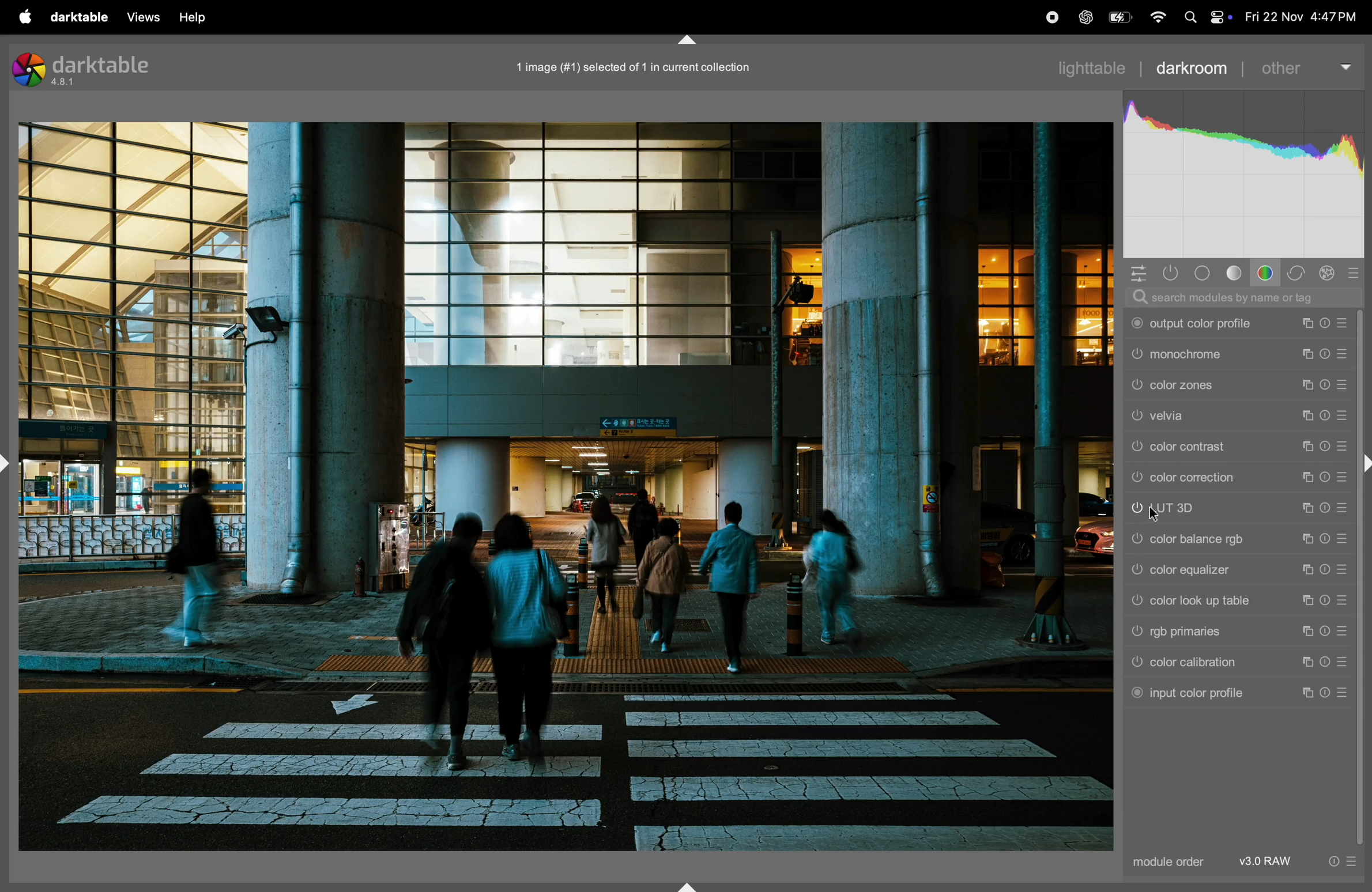 The image size is (1372, 892). What do you see at coordinates (1211, 664) in the screenshot?
I see `color calibration` at bounding box center [1211, 664].